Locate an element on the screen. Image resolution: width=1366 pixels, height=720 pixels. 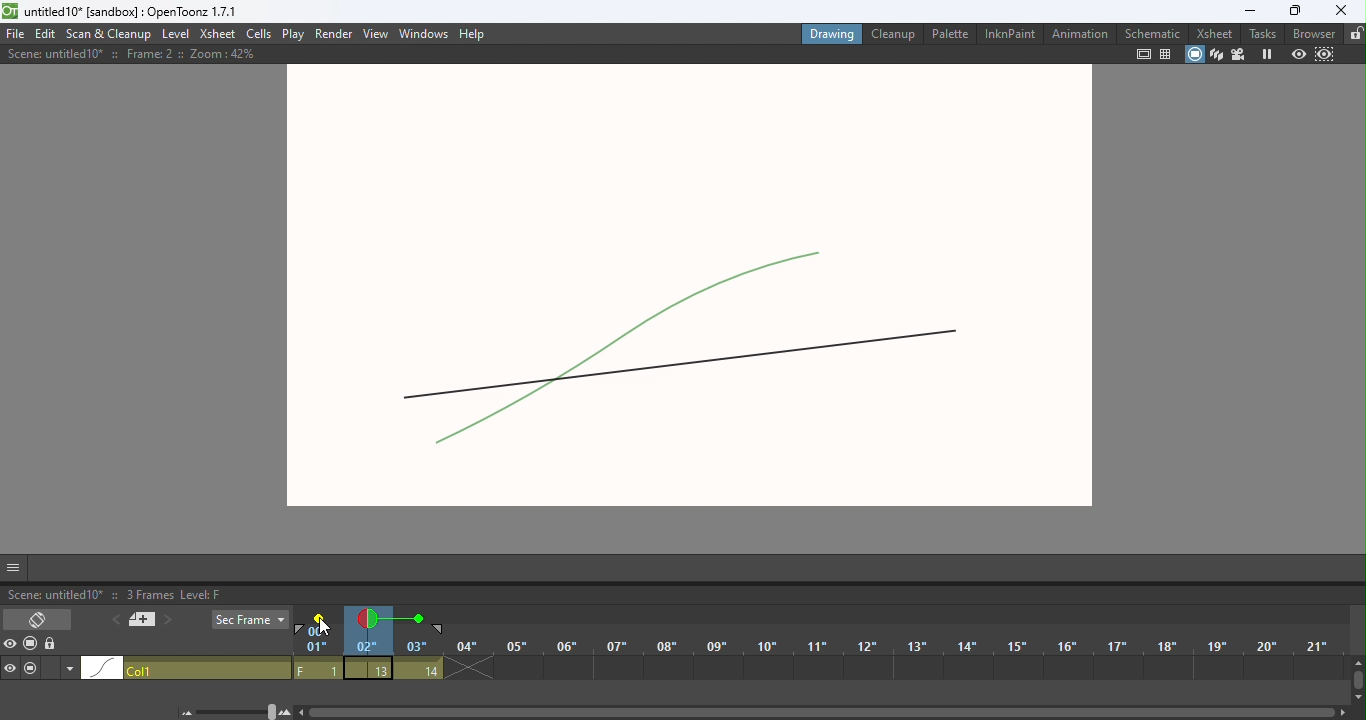
Scan & Cleanup is located at coordinates (111, 33).